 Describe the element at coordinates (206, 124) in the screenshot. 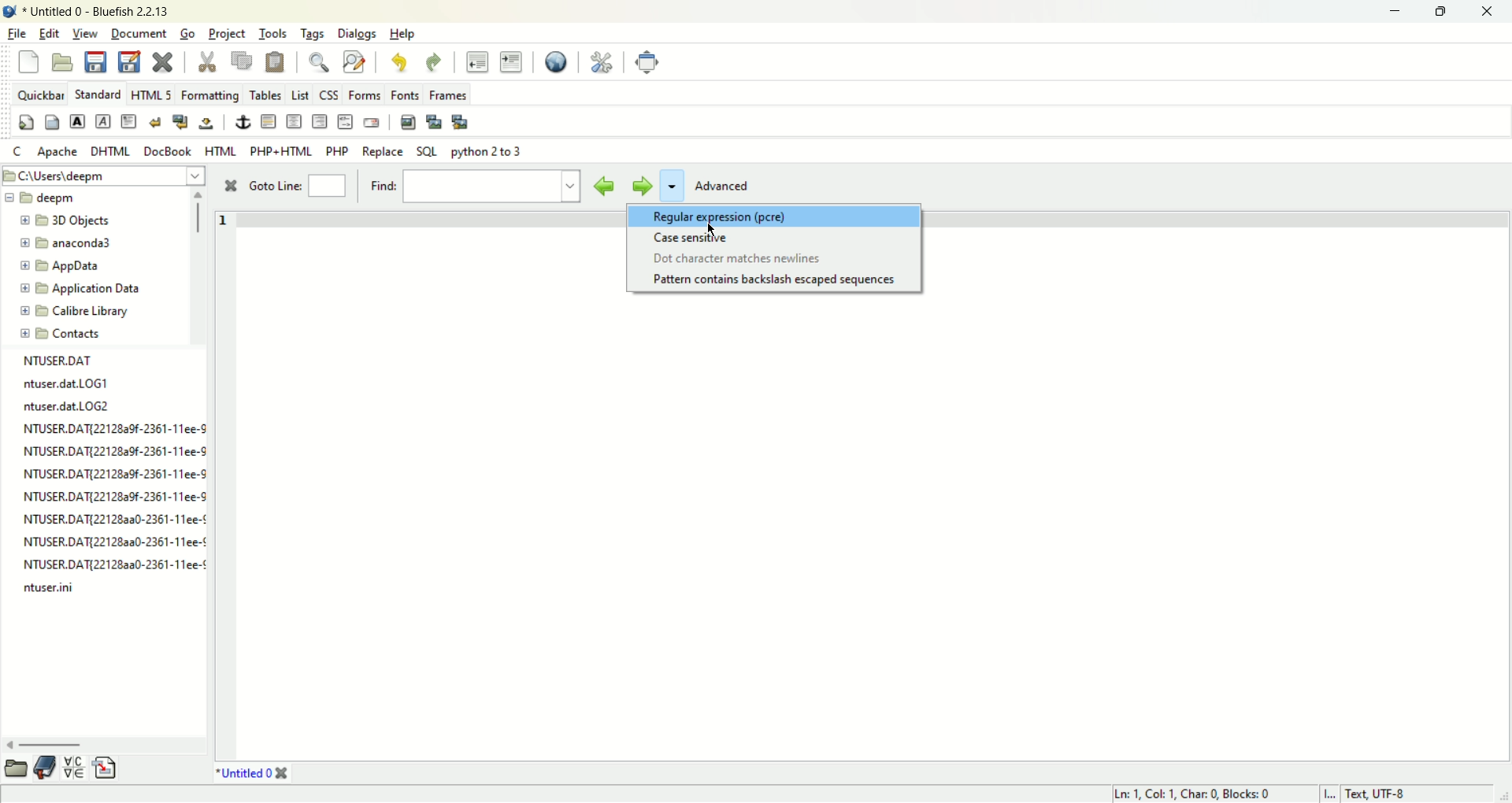

I see `non breaking space` at that location.